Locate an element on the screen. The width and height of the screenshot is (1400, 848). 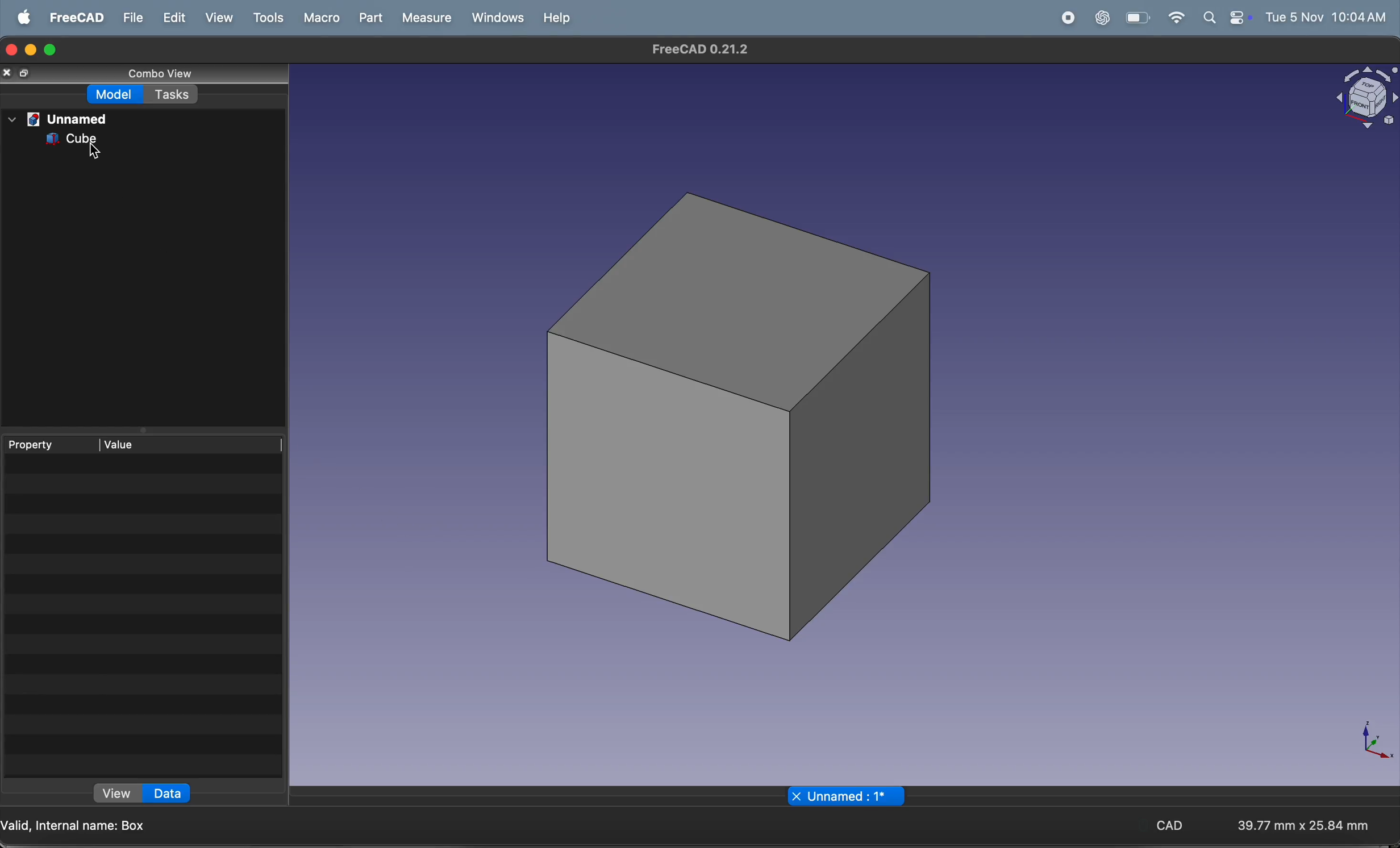
part is located at coordinates (370, 18).